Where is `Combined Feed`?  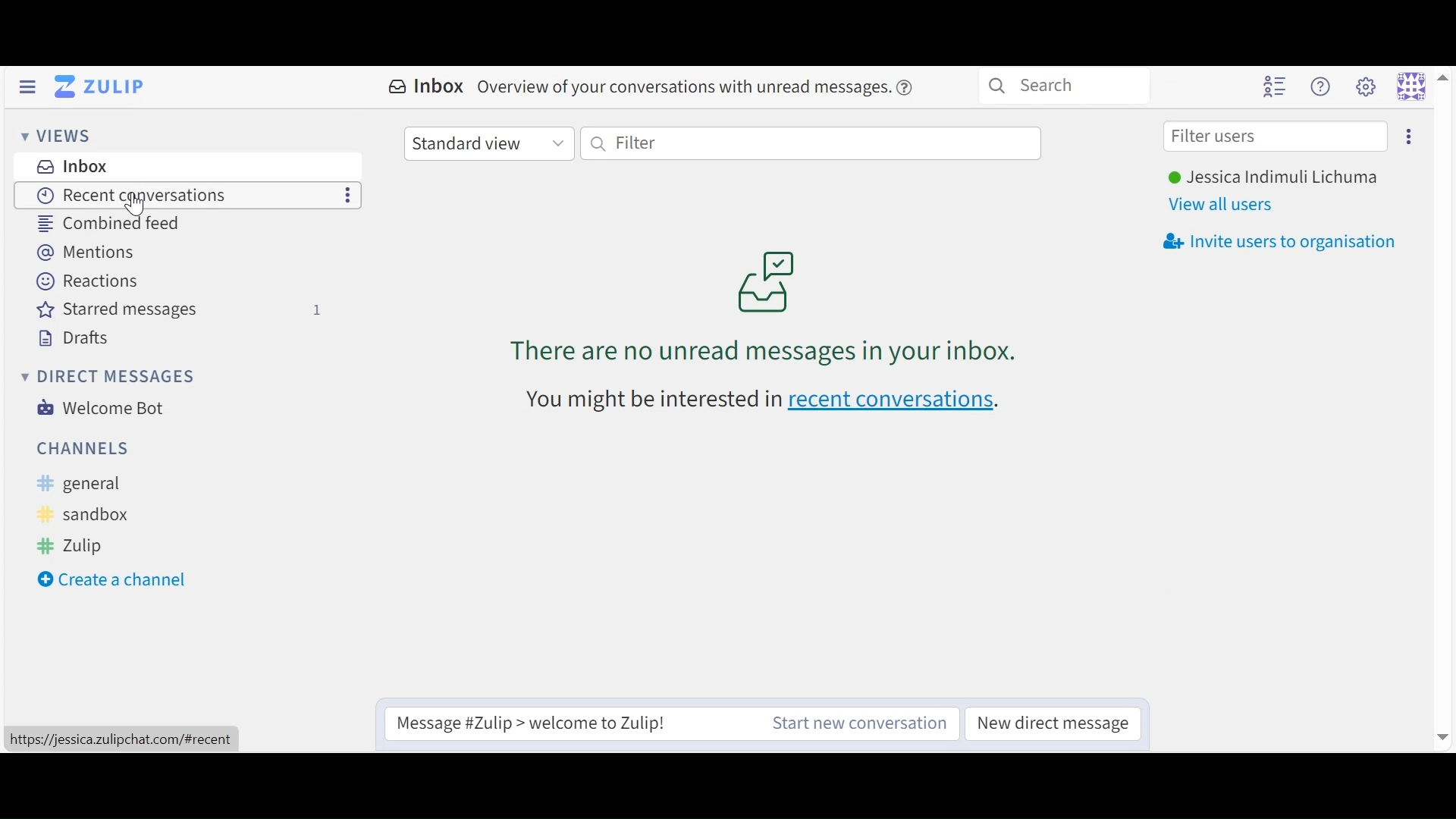 Combined Feed is located at coordinates (102, 224).